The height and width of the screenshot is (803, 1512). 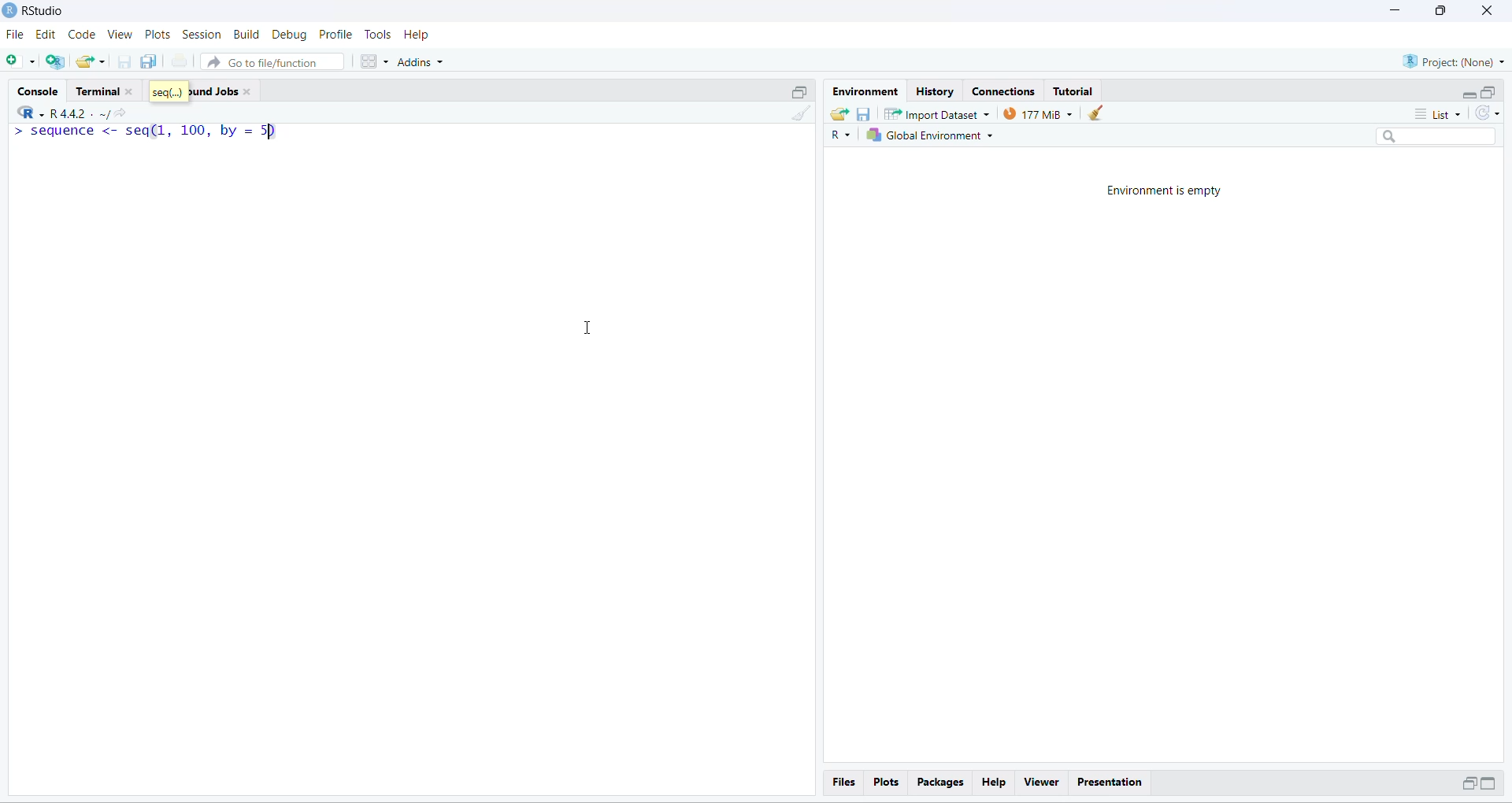 I want to click on session, so click(x=202, y=35).